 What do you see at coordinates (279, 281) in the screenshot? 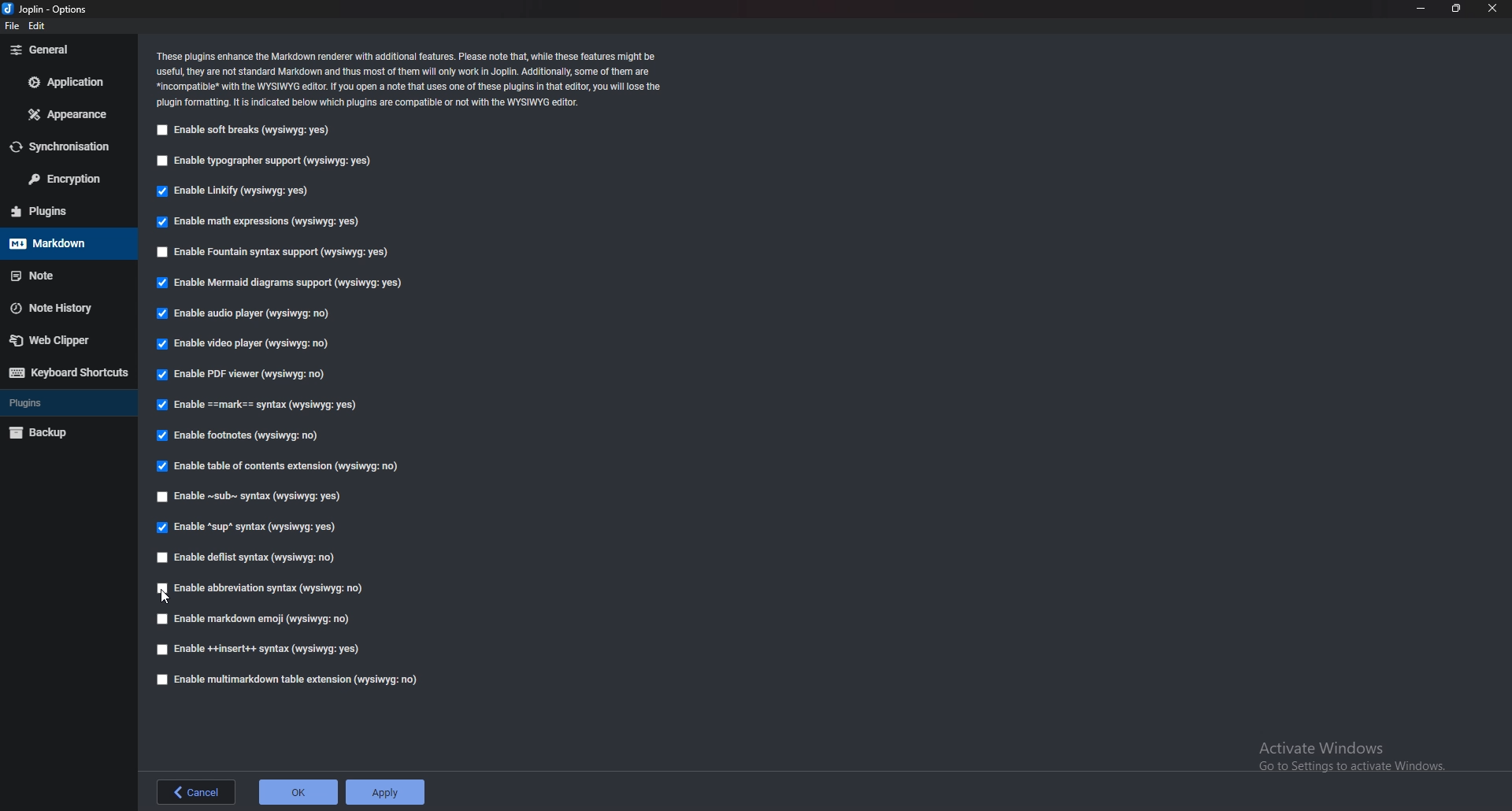
I see `Enable Mermaid diagrams support (wysiwyg: yes)` at bounding box center [279, 281].